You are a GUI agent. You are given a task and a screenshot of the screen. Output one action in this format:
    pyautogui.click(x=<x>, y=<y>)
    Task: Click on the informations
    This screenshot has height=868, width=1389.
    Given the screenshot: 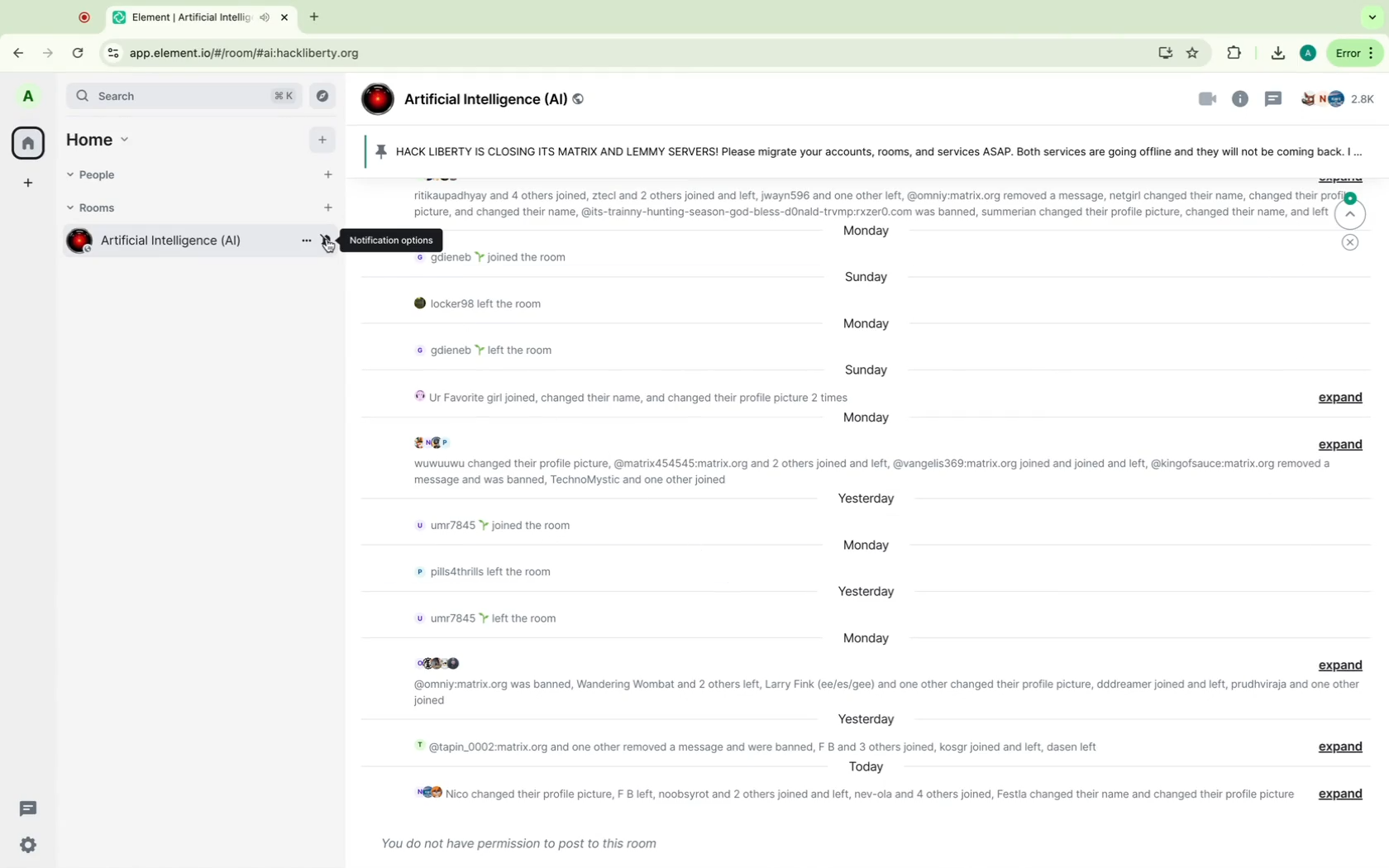 What is the action you would take?
    pyautogui.click(x=1243, y=98)
    